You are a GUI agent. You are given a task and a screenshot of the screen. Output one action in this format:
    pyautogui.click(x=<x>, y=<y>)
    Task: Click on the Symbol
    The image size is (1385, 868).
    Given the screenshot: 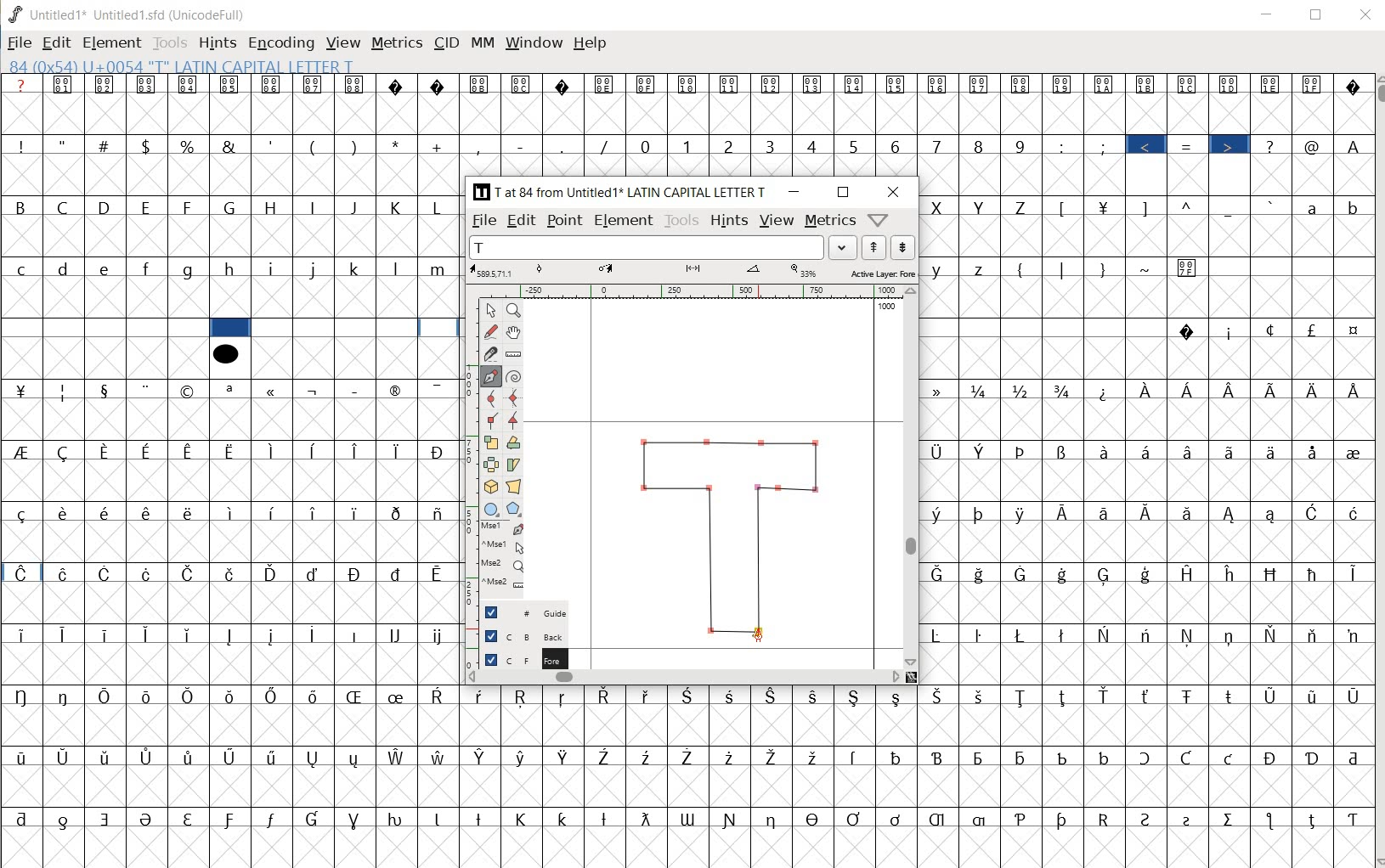 What is the action you would take?
    pyautogui.click(x=232, y=573)
    